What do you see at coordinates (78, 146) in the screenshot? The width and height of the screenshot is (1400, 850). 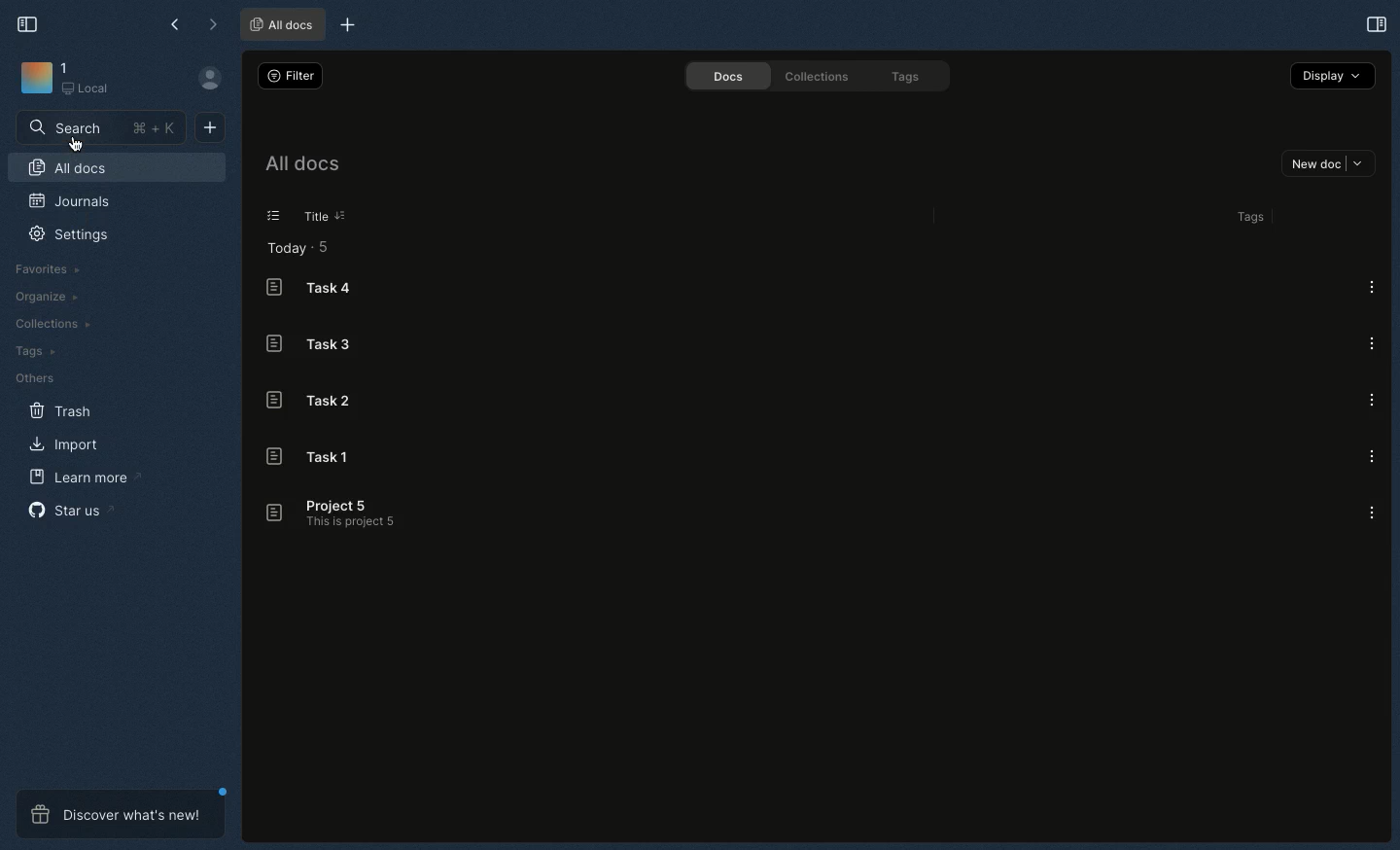 I see `Cursor` at bounding box center [78, 146].